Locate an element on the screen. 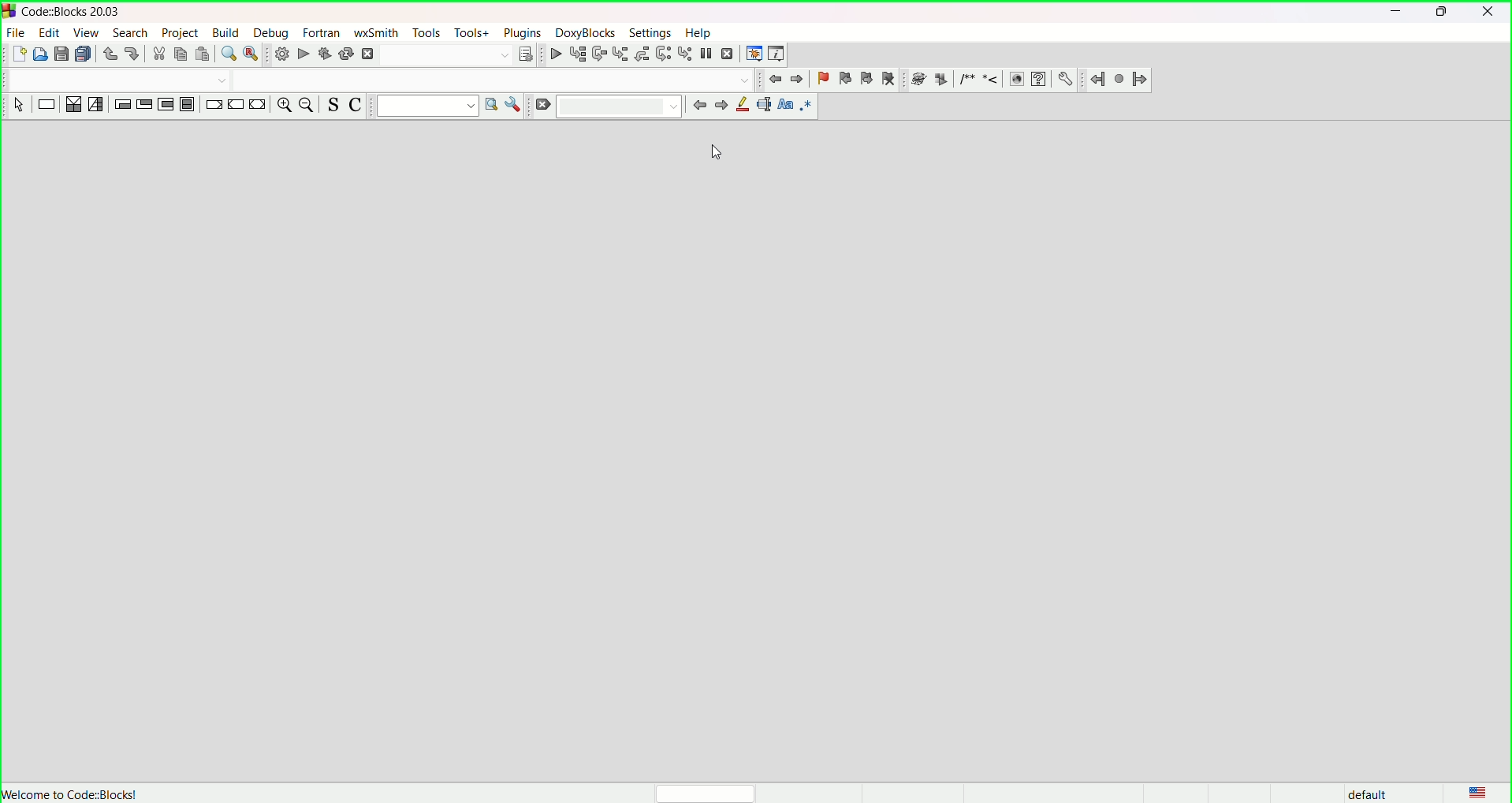  next line is located at coordinates (600, 54).